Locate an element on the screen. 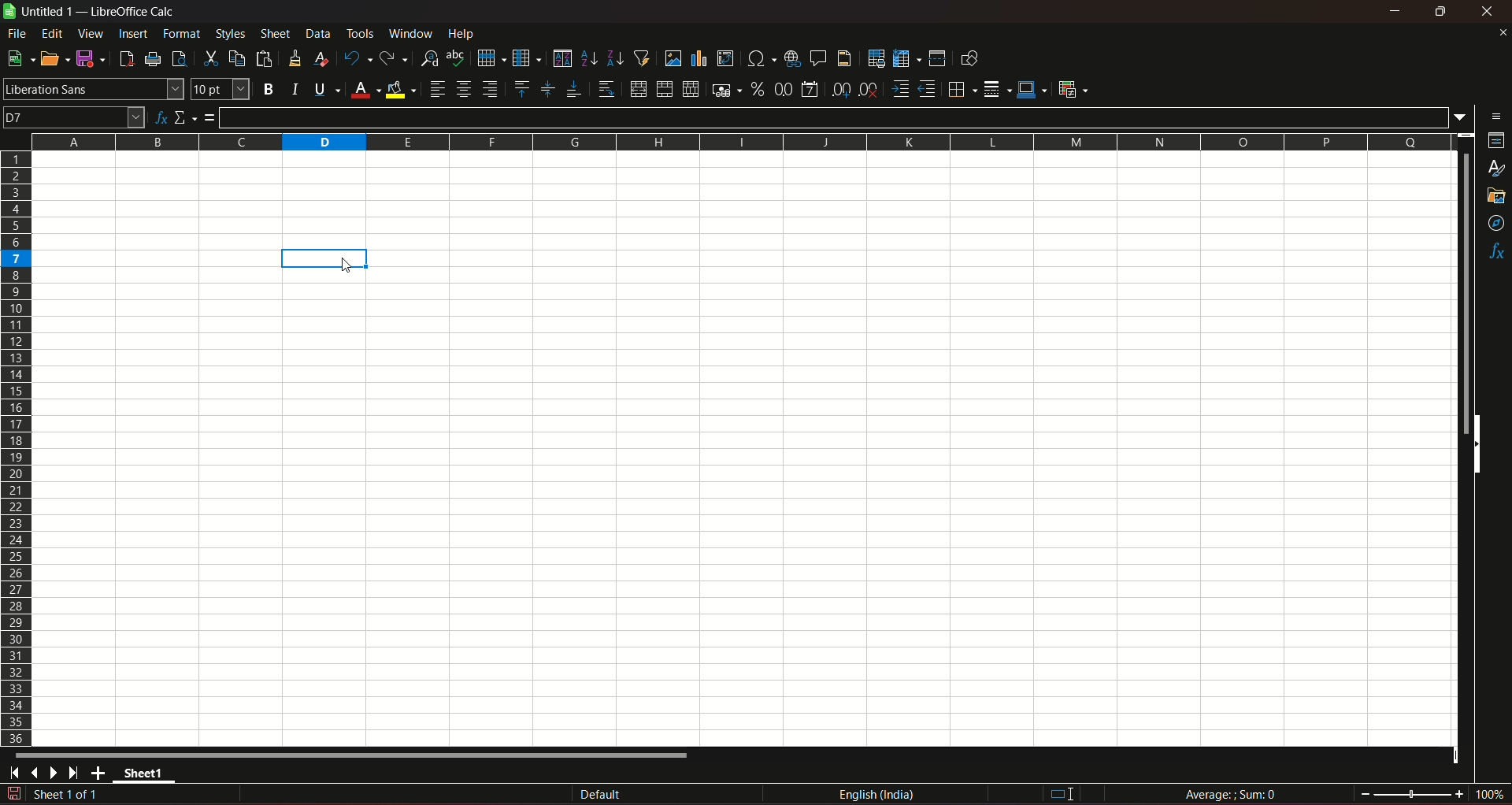 The height and width of the screenshot is (805, 1512). language is located at coordinates (880, 795).